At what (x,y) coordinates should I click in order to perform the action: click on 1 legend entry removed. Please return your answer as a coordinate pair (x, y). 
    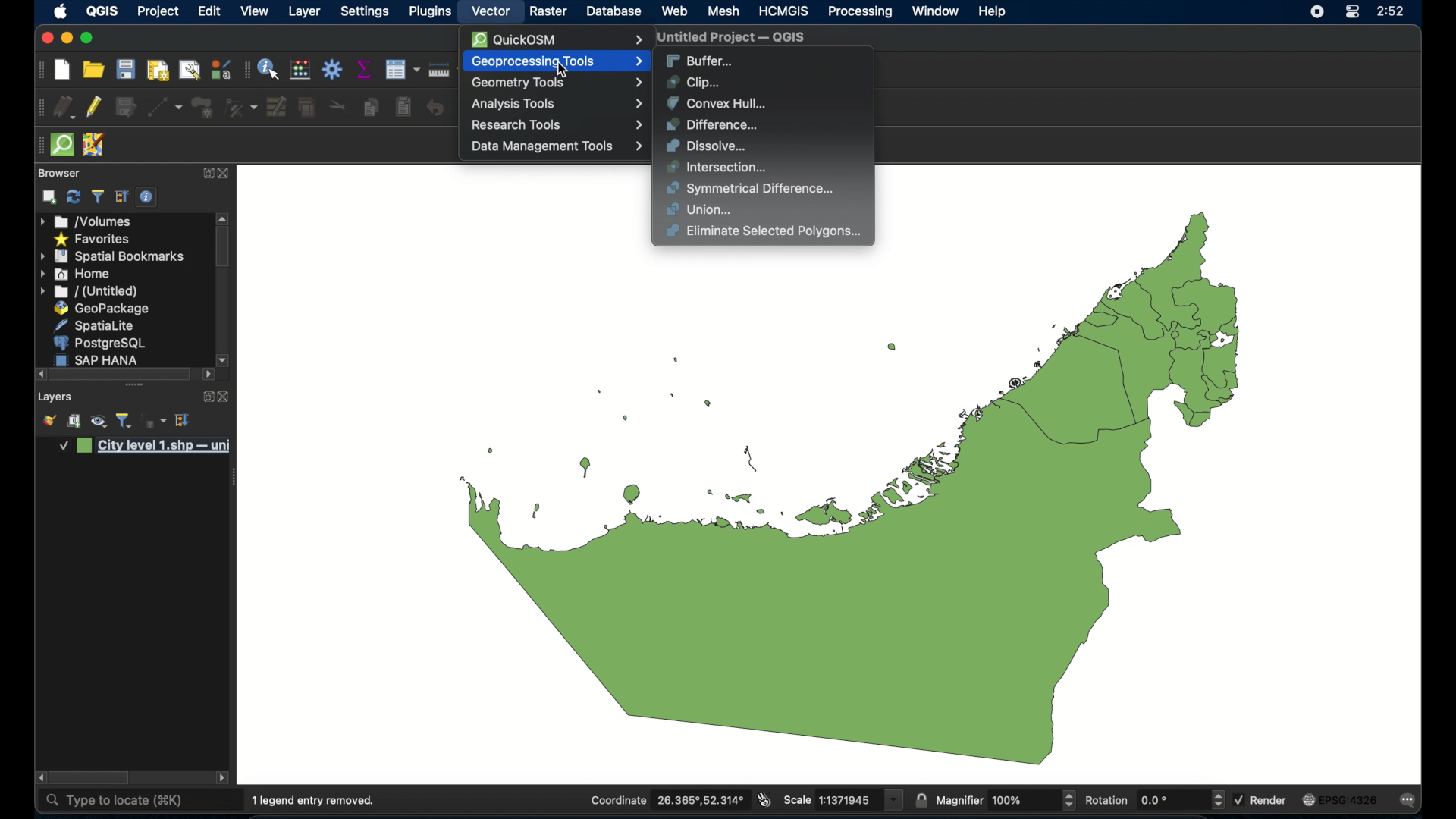
    Looking at the image, I should click on (315, 801).